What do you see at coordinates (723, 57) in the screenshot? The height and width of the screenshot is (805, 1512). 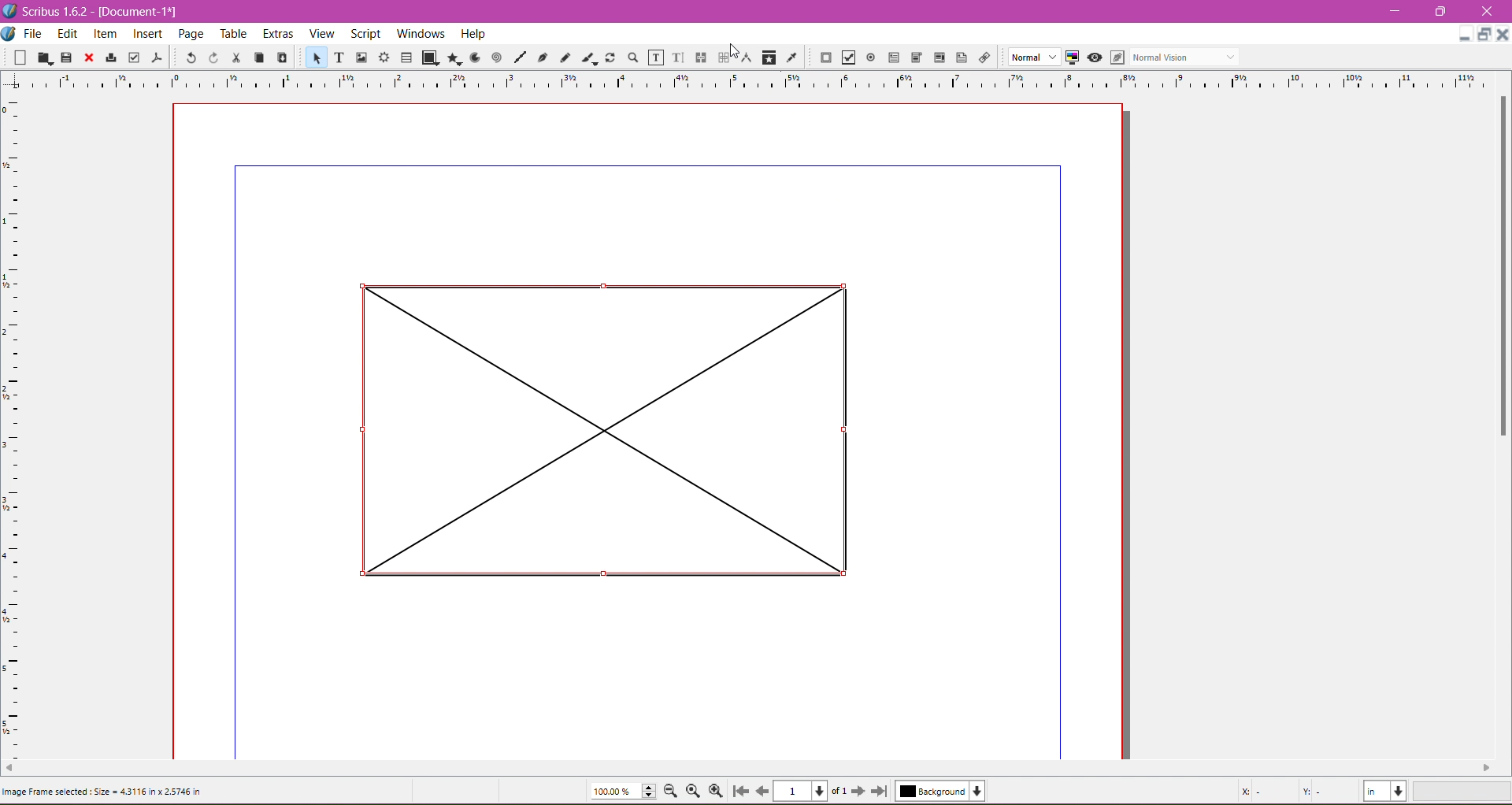 I see `Unlink Text Frames` at bounding box center [723, 57].